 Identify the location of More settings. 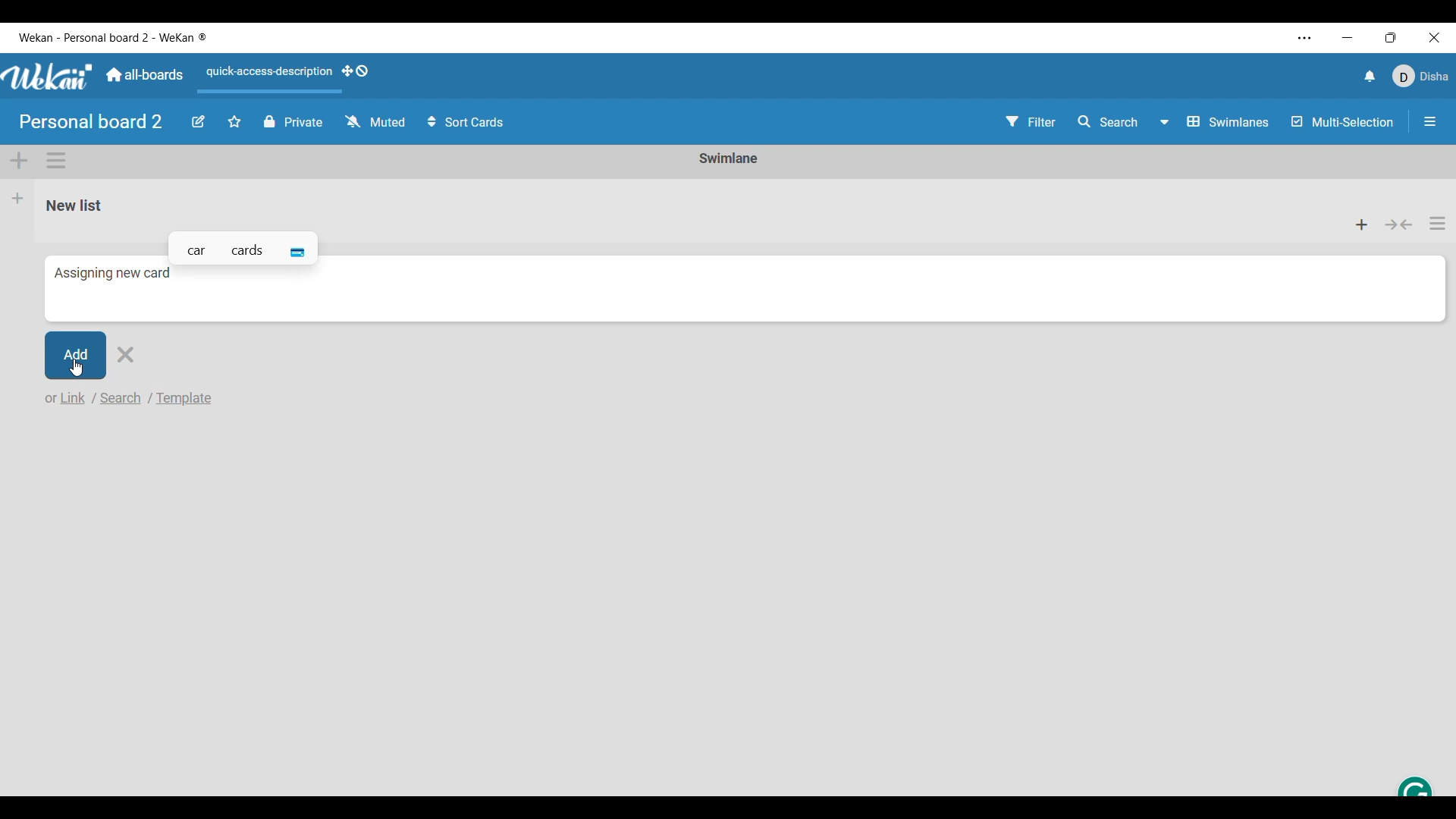
(1305, 38).